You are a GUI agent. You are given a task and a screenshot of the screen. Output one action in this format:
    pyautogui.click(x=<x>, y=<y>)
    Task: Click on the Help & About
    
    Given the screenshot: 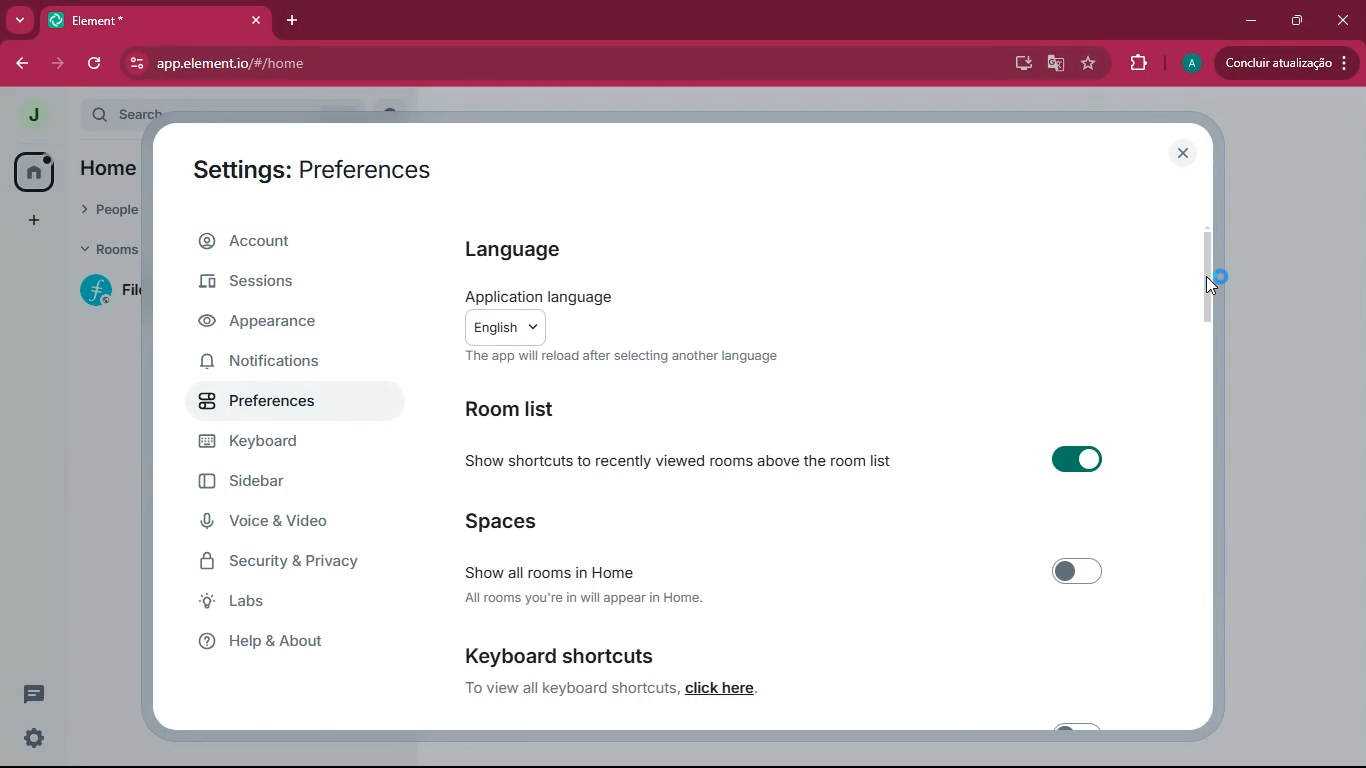 What is the action you would take?
    pyautogui.click(x=288, y=640)
    